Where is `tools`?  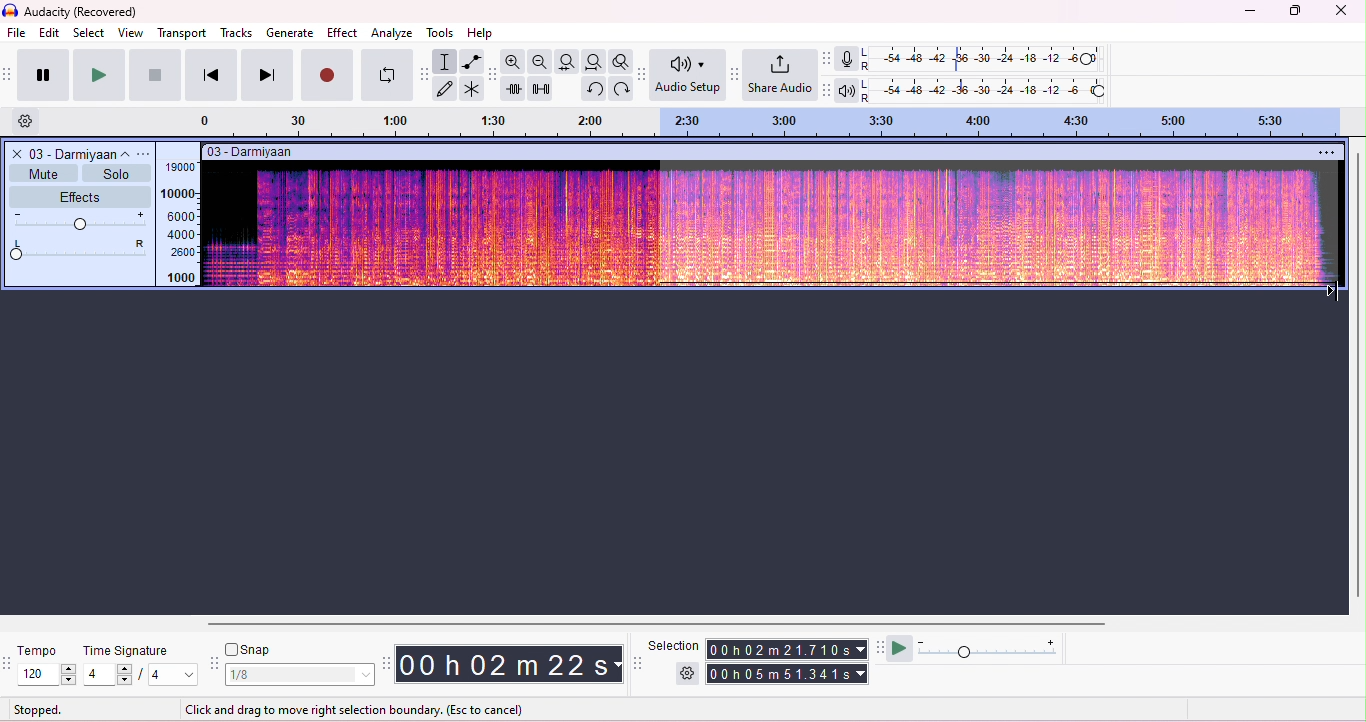
tools is located at coordinates (444, 33).